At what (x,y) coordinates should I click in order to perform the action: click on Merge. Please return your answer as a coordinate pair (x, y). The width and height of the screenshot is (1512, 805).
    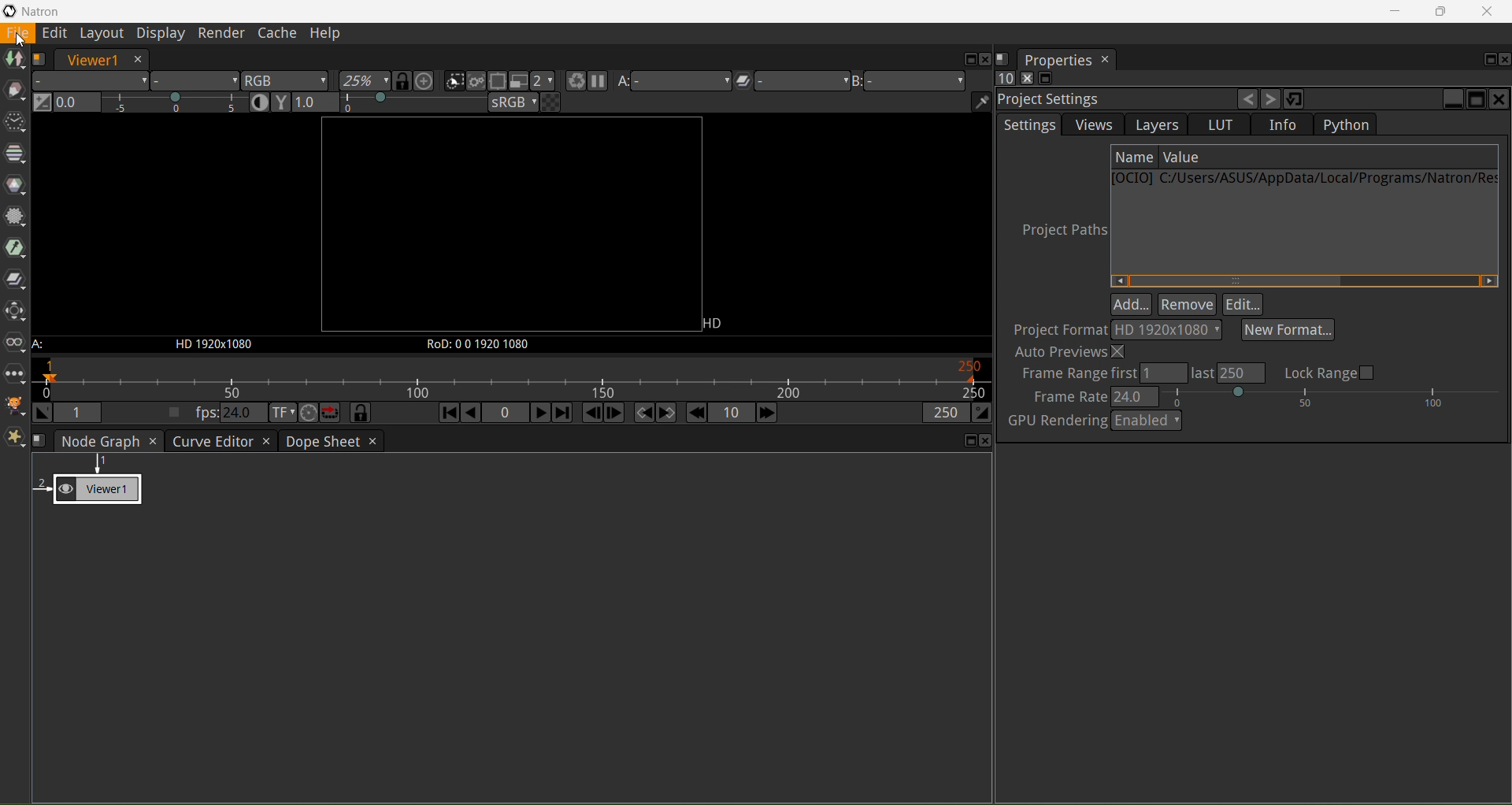
    Looking at the image, I should click on (15, 281).